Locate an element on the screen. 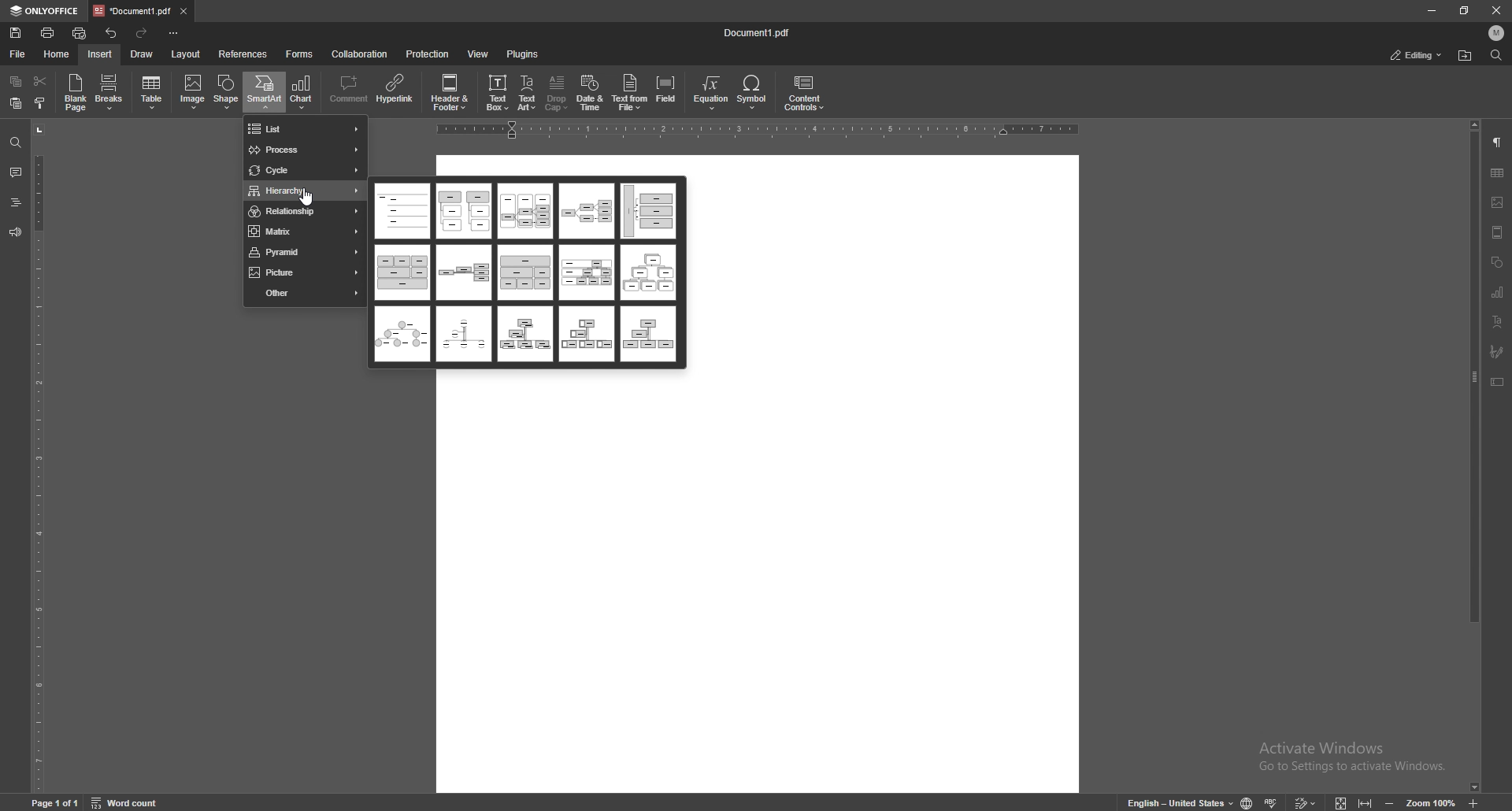  collaboration is located at coordinates (360, 54).